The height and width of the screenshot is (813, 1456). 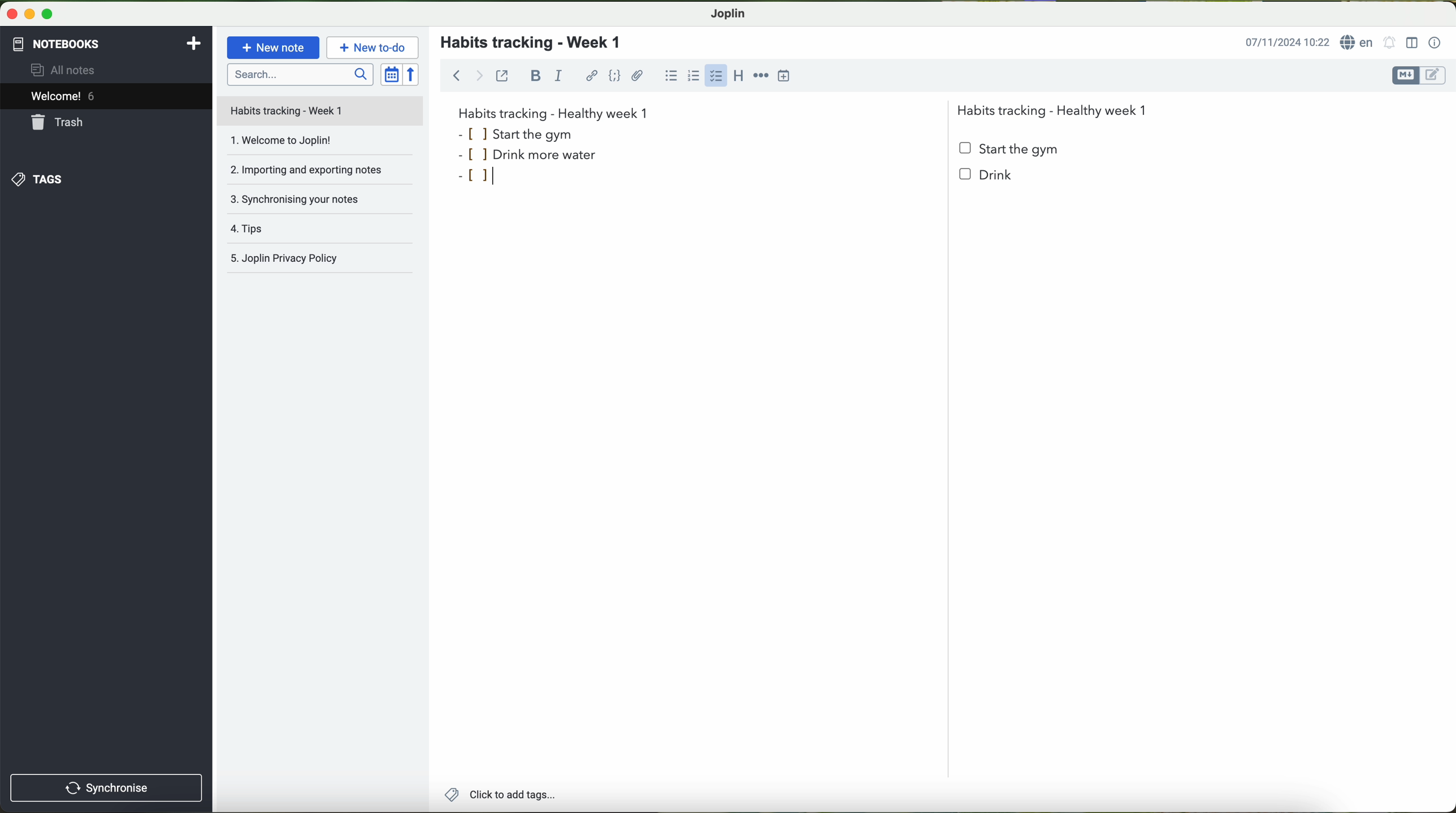 What do you see at coordinates (502, 75) in the screenshot?
I see `toggle external editing` at bounding box center [502, 75].